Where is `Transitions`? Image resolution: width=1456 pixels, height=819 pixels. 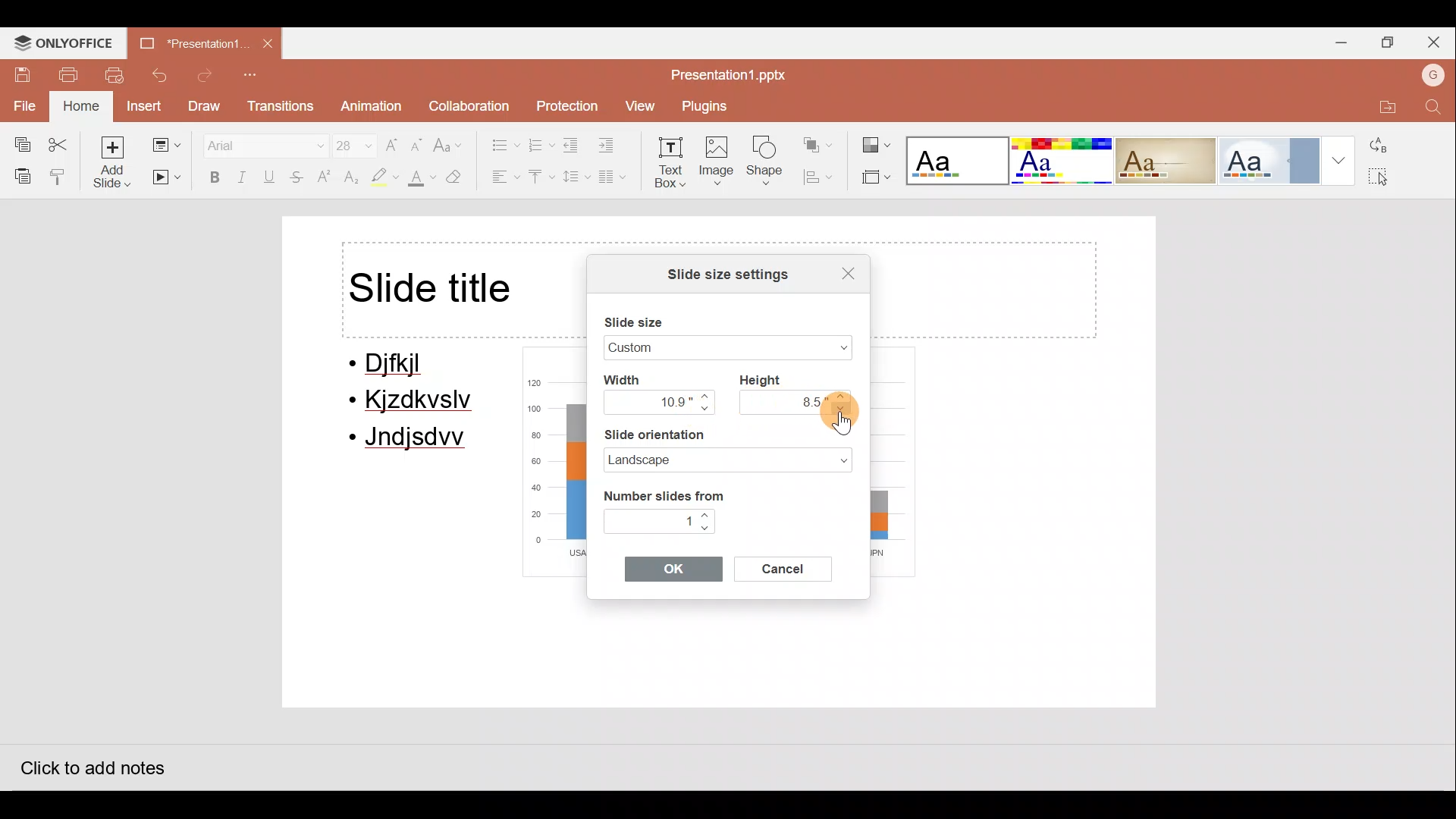
Transitions is located at coordinates (279, 107).